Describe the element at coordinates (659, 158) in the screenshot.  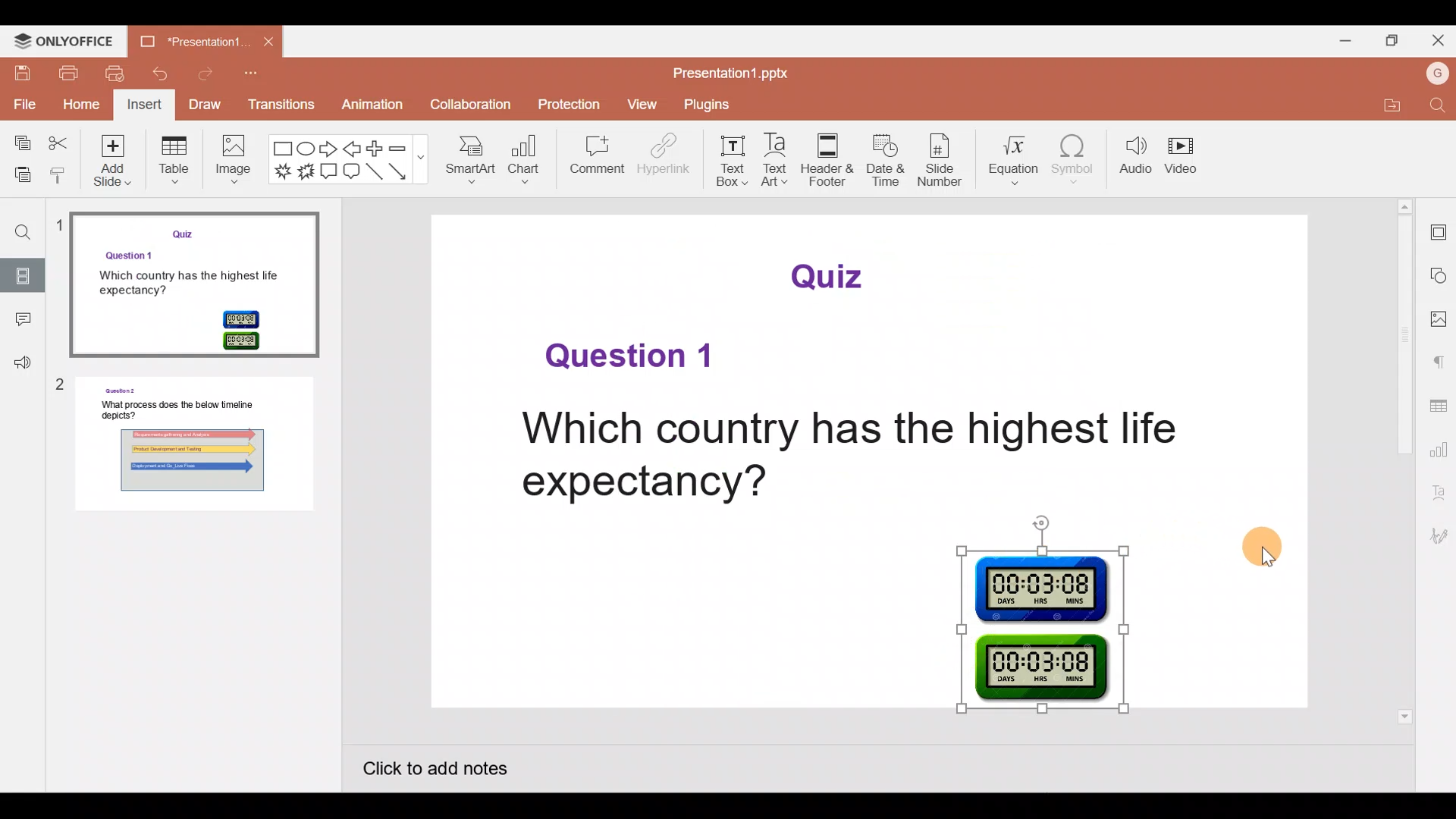
I see `Hyperlink` at that location.